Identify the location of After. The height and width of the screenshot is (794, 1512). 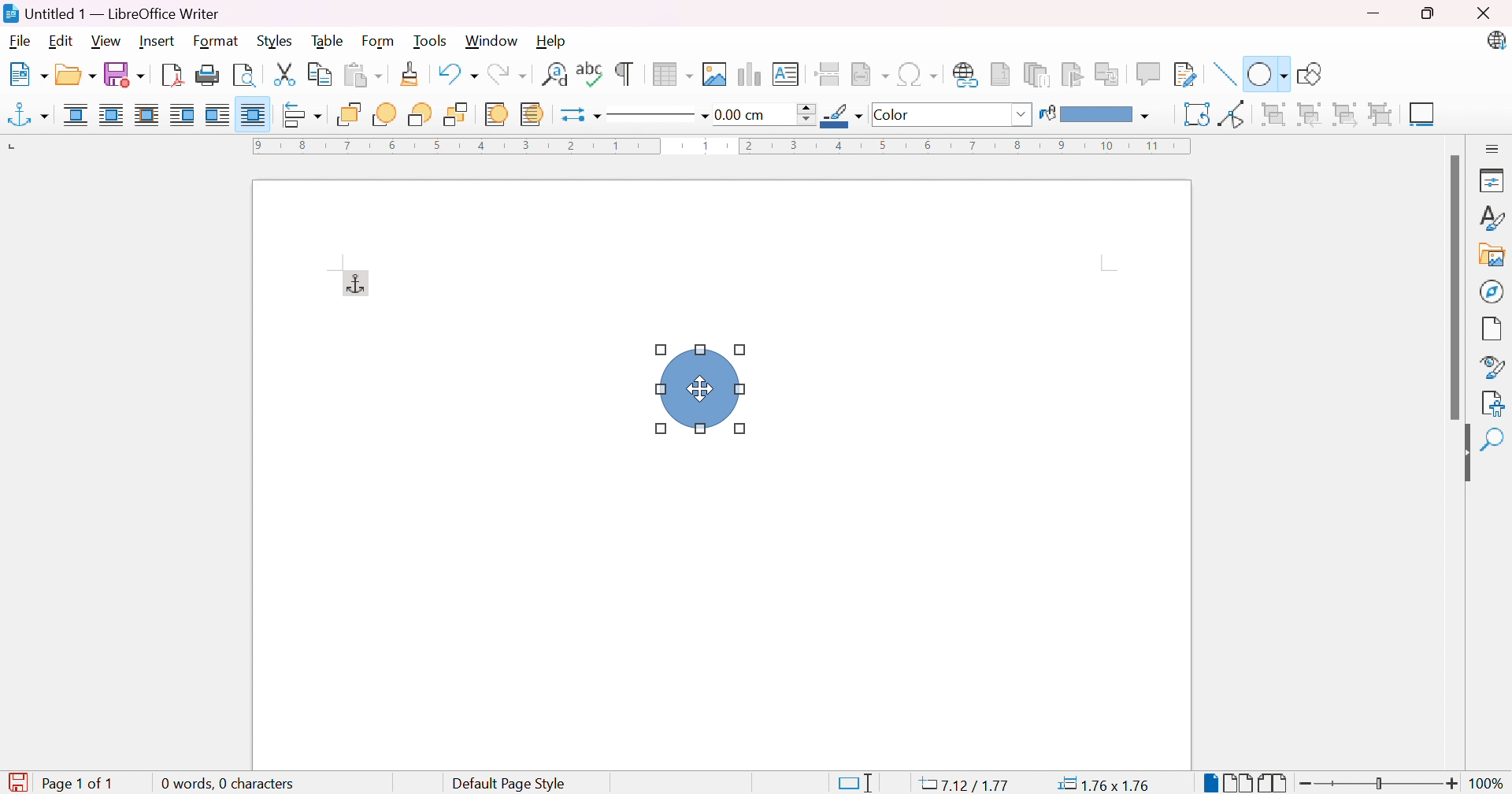
(217, 113).